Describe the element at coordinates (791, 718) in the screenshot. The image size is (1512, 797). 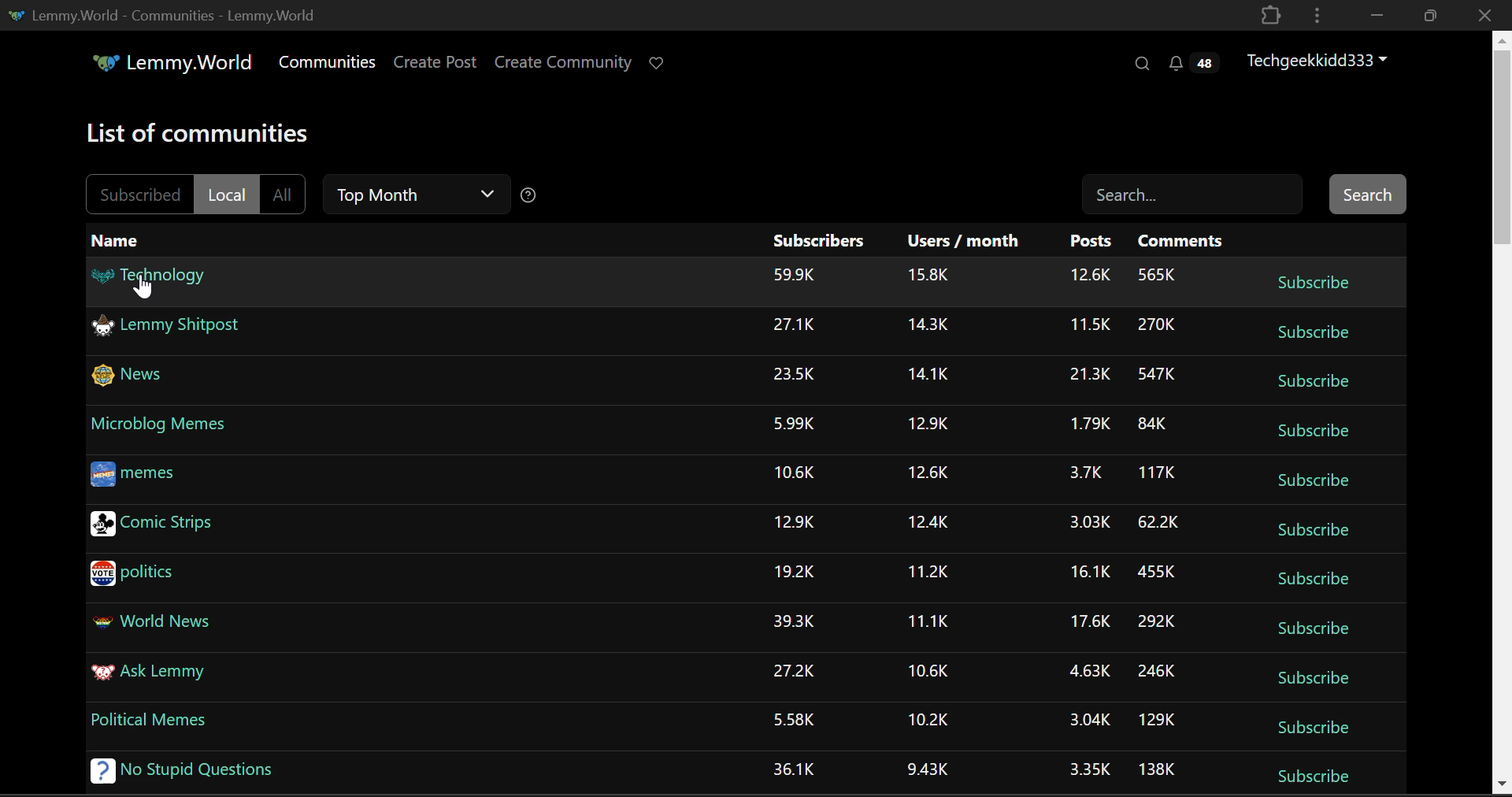
I see `Amount` at that location.